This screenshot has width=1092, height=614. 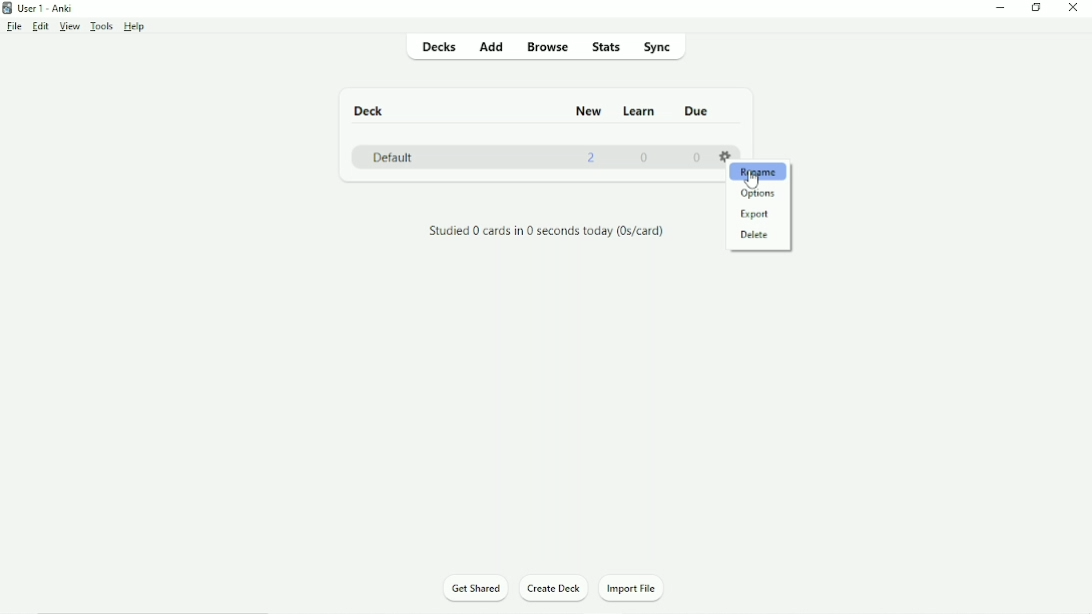 I want to click on Deck, so click(x=367, y=111).